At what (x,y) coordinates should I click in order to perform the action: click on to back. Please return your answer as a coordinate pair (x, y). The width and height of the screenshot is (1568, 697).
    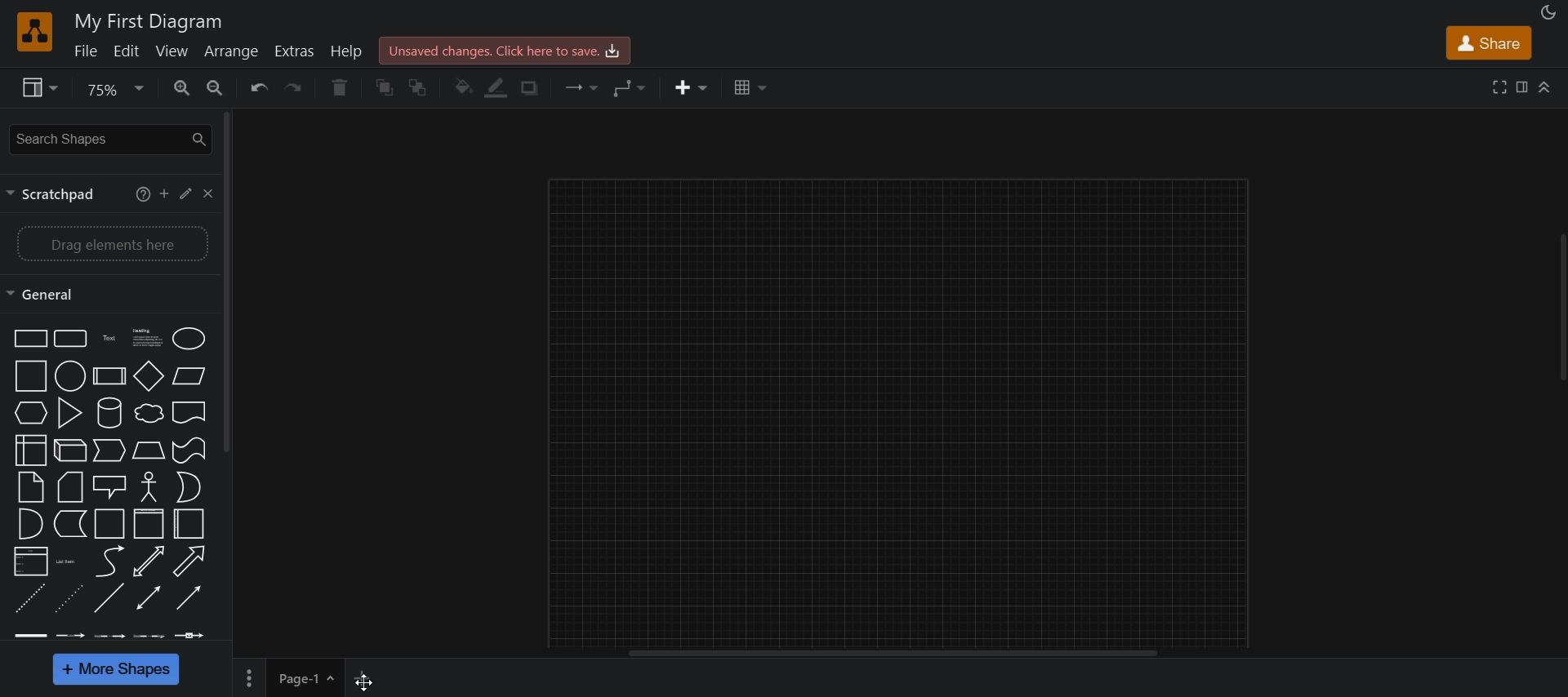
    Looking at the image, I should click on (424, 89).